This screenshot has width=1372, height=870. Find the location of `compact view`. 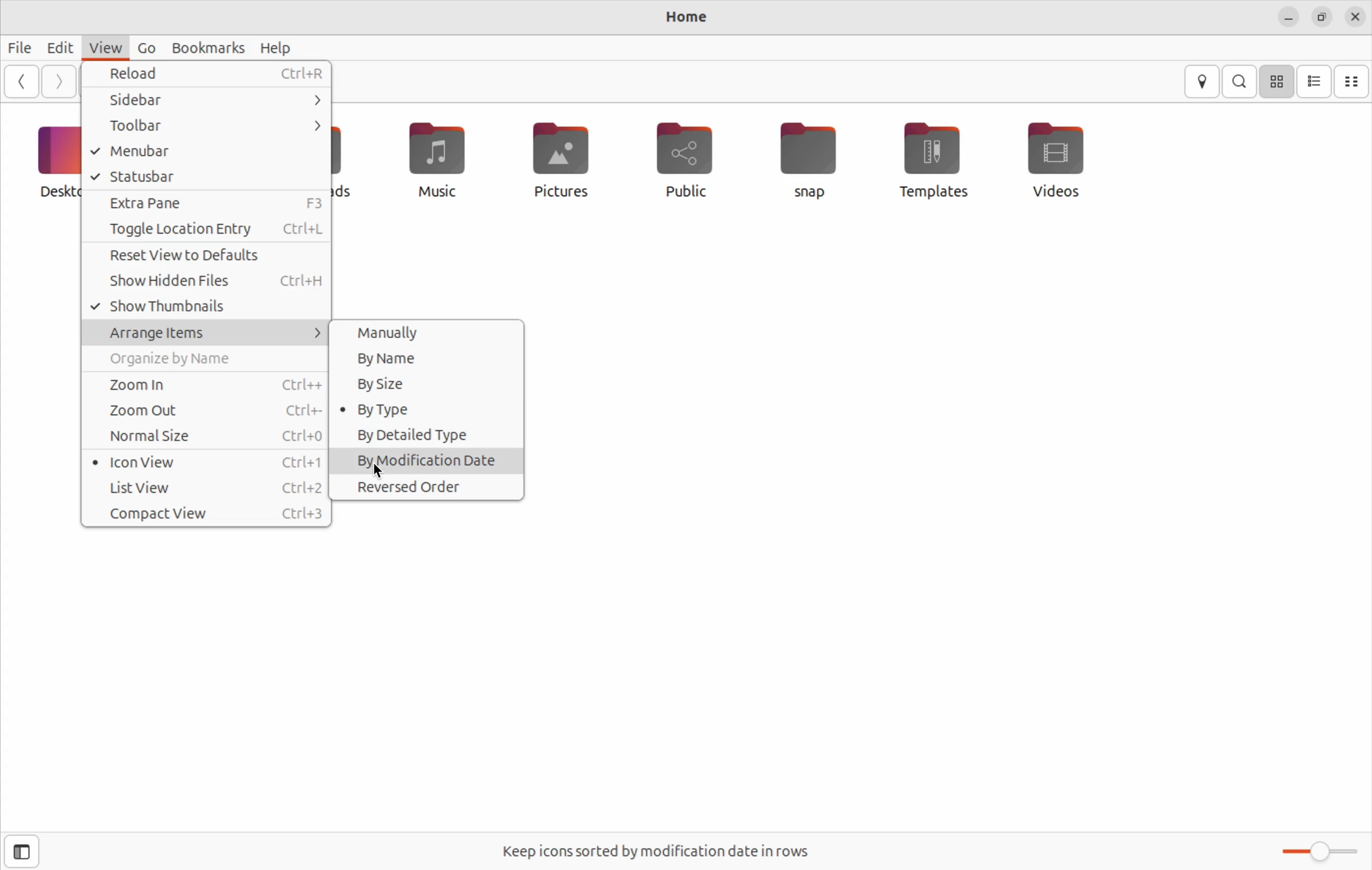

compact view is located at coordinates (1354, 81).